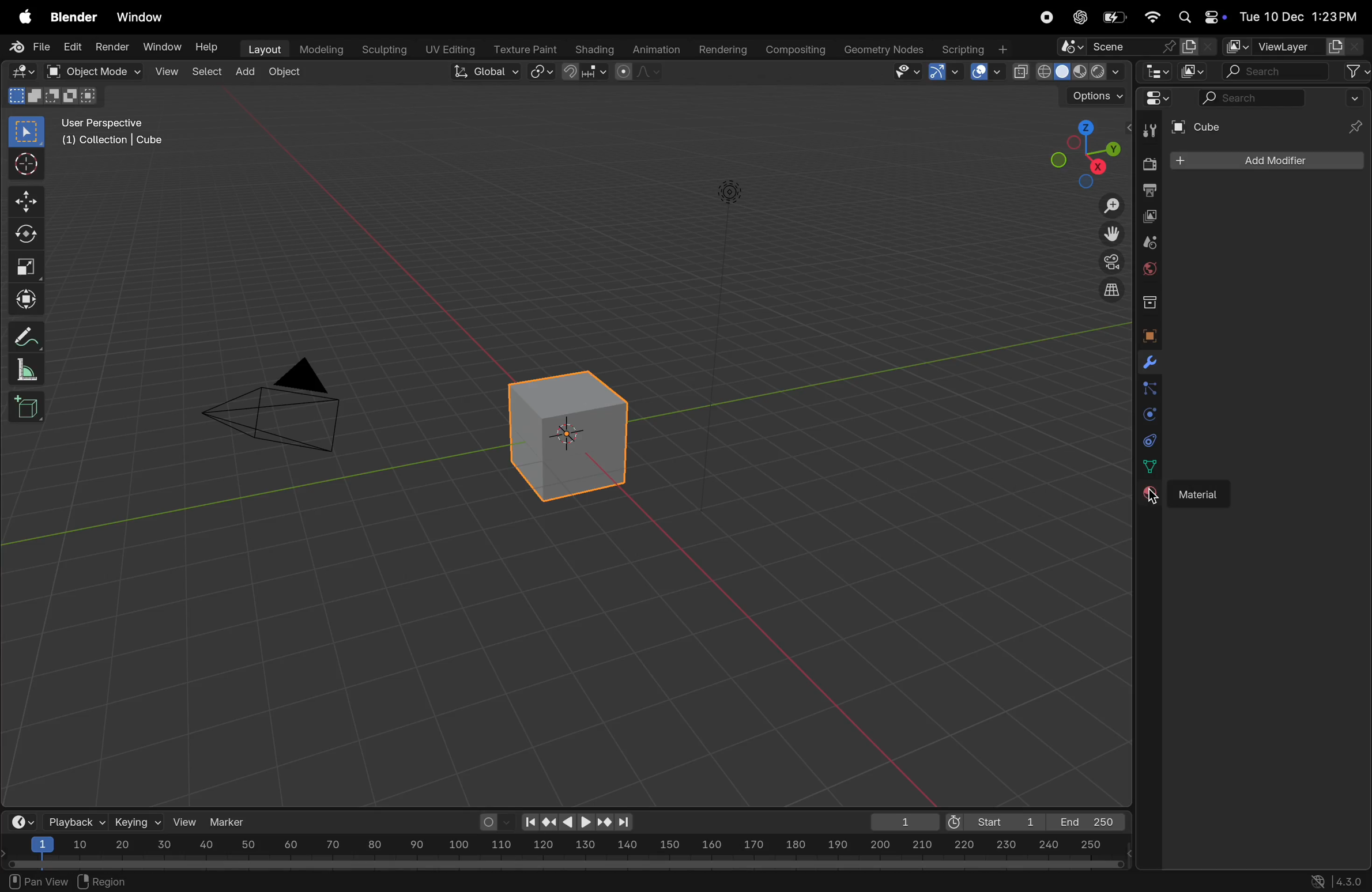 The height and width of the screenshot is (892, 1372). I want to click on scale, so click(564, 846).